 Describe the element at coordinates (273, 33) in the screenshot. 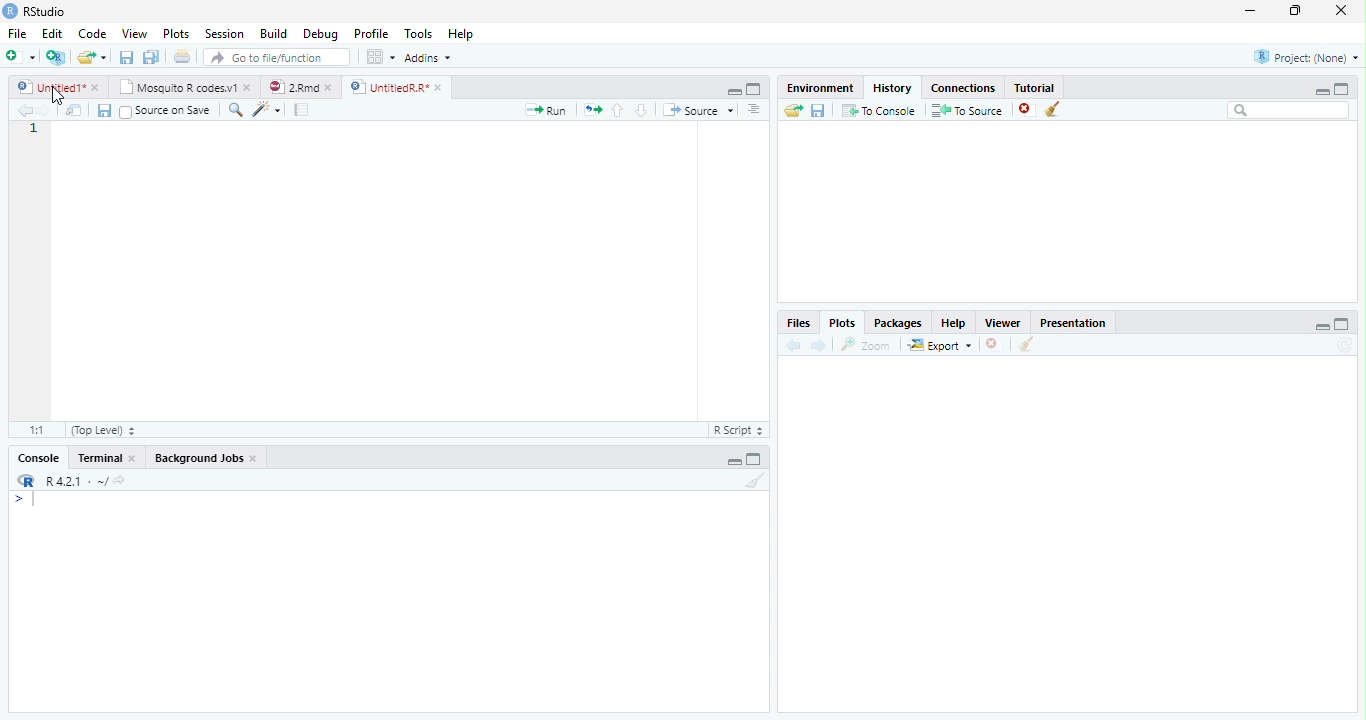

I see `Build` at that location.